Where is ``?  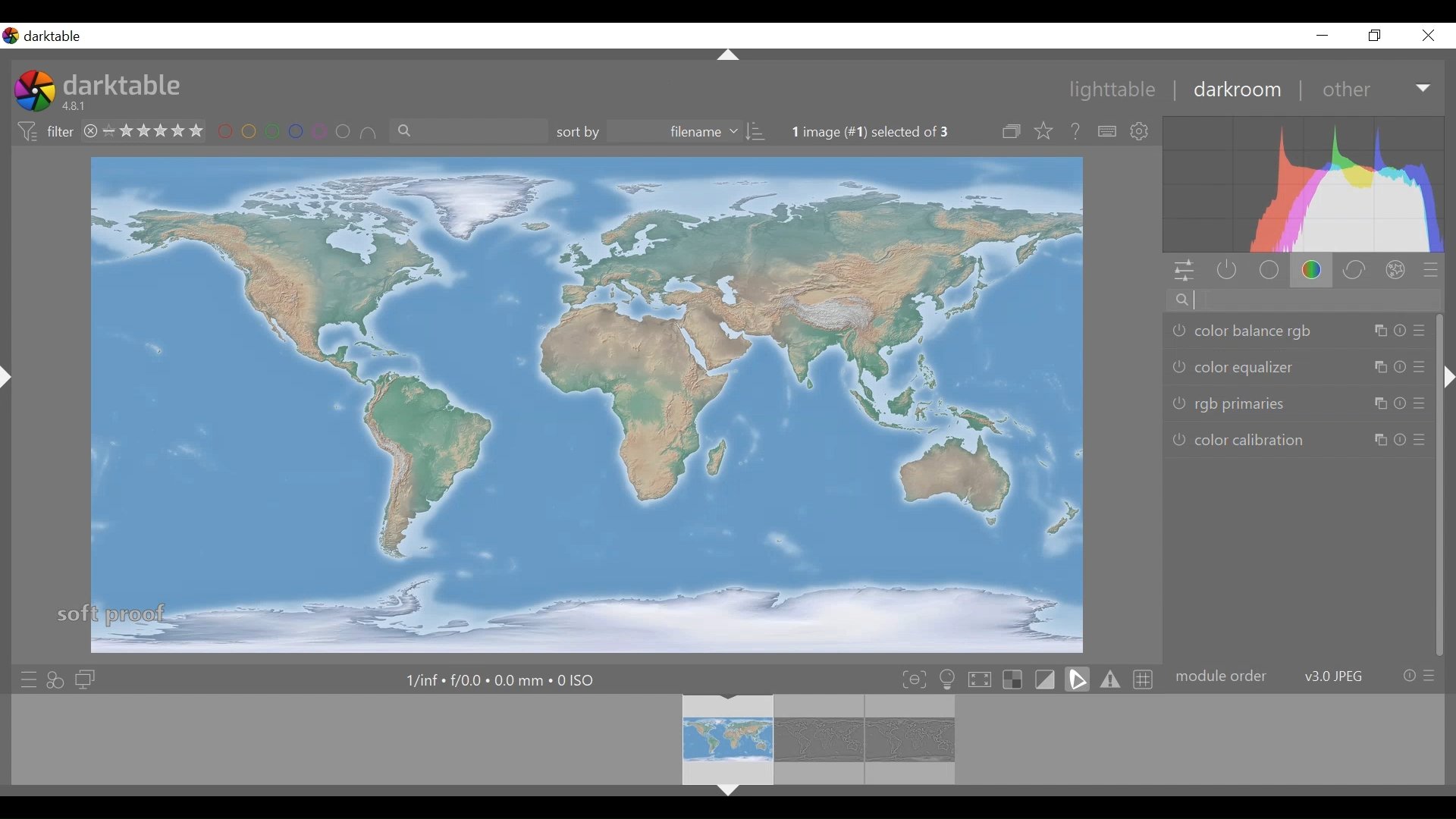
 is located at coordinates (729, 794).